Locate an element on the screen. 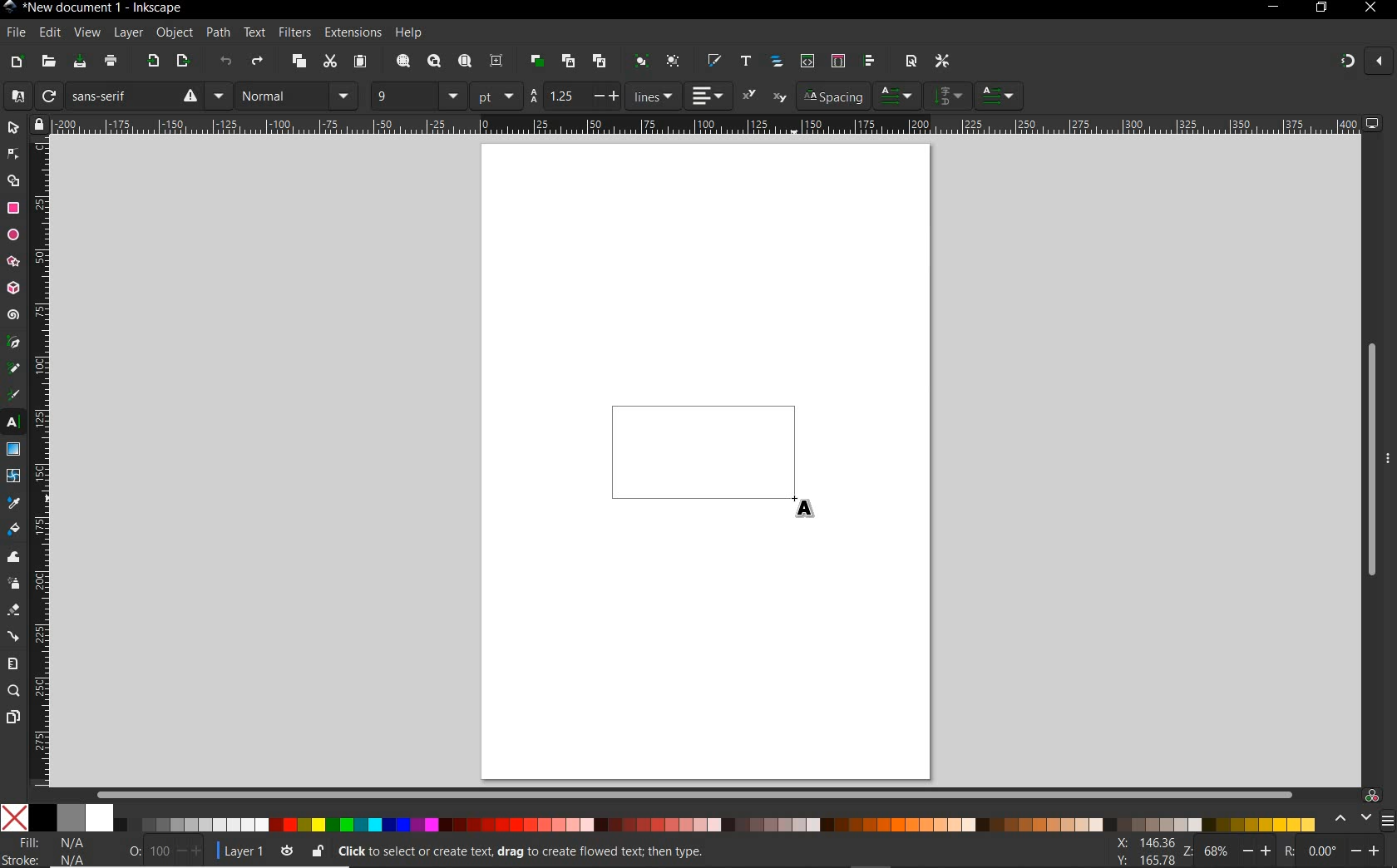  3d box tool is located at coordinates (13, 290).